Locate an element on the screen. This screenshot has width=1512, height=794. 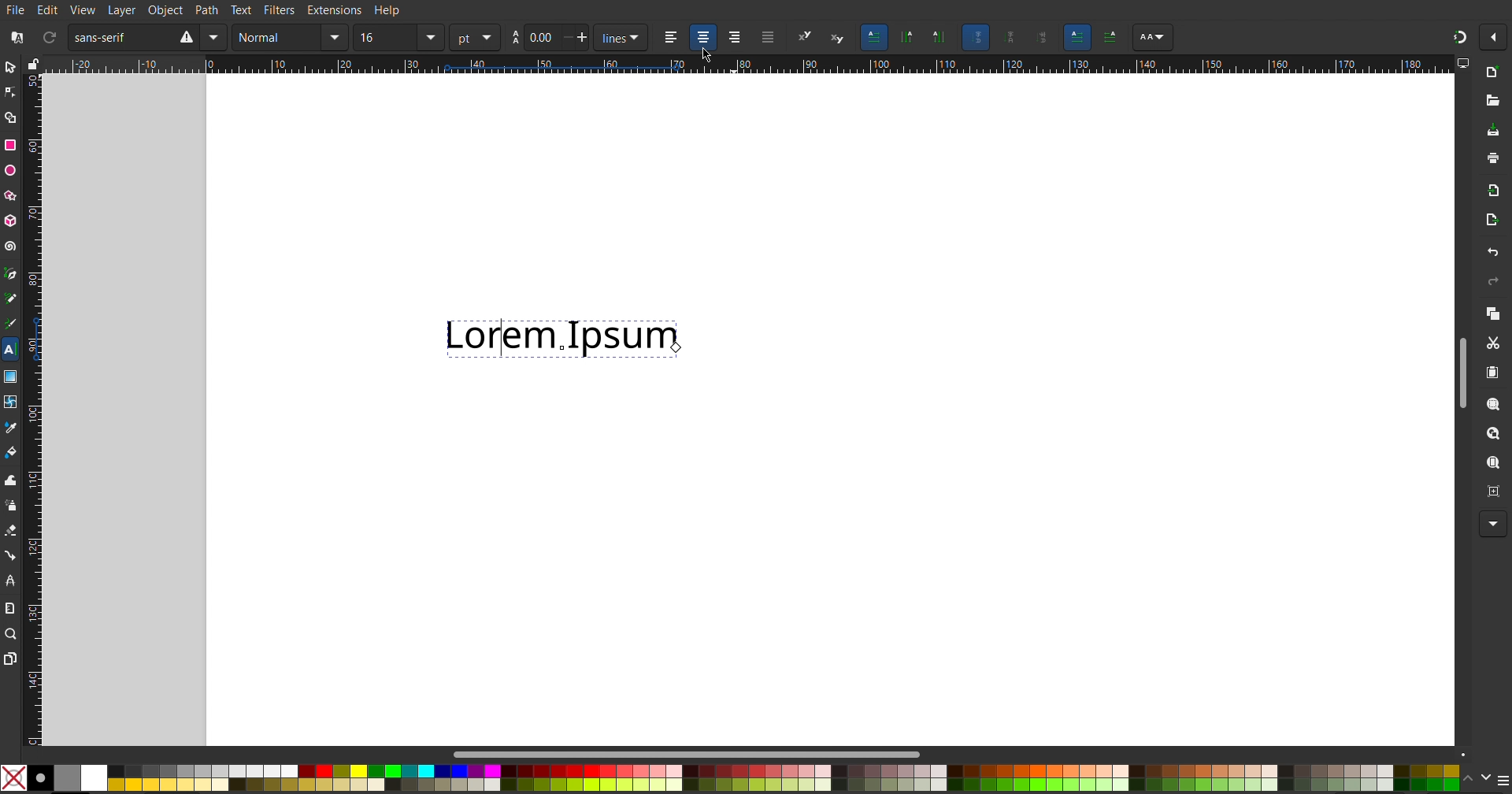
Text alignment is located at coordinates (717, 36).